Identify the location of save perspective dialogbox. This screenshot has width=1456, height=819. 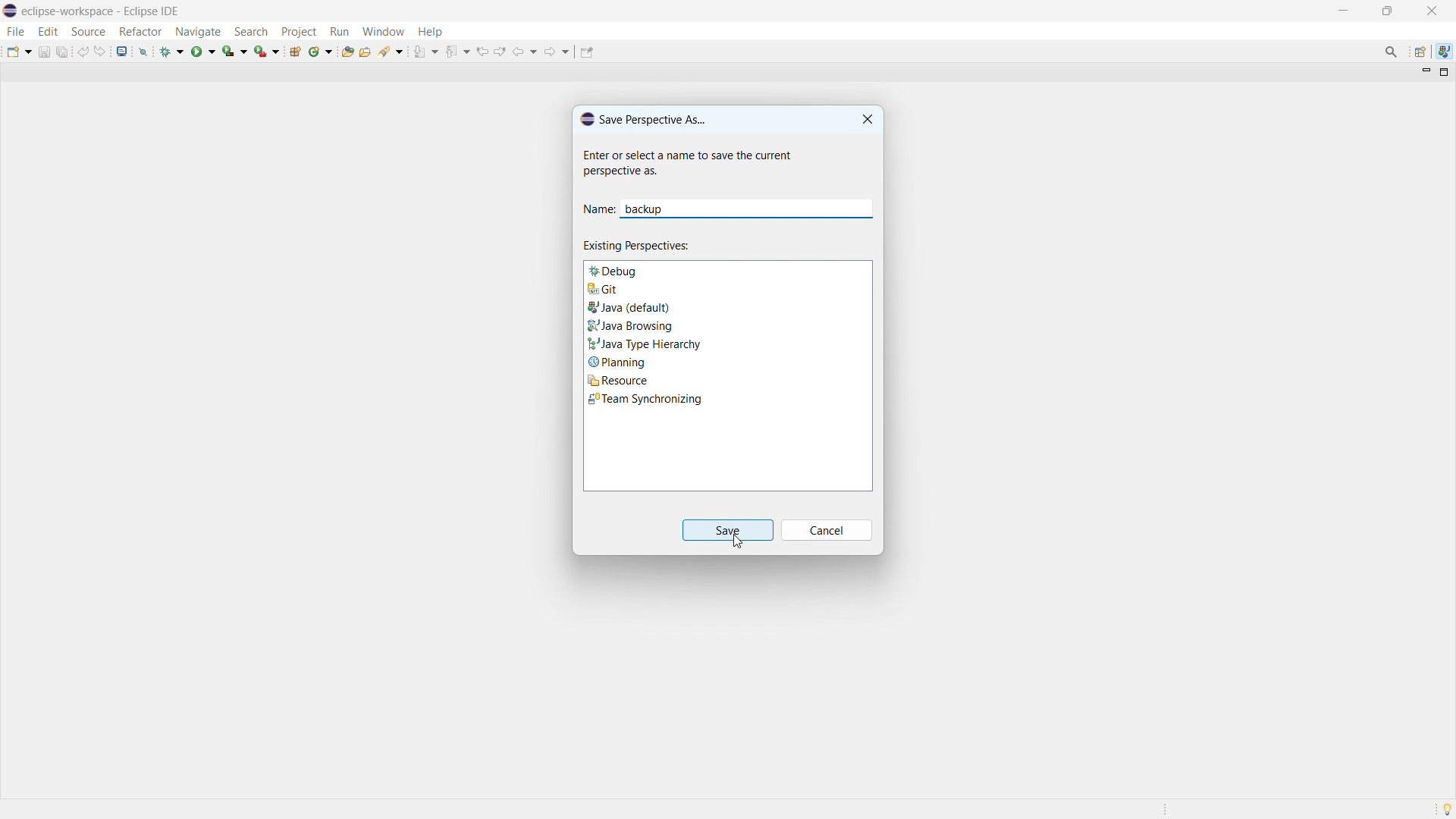
(642, 118).